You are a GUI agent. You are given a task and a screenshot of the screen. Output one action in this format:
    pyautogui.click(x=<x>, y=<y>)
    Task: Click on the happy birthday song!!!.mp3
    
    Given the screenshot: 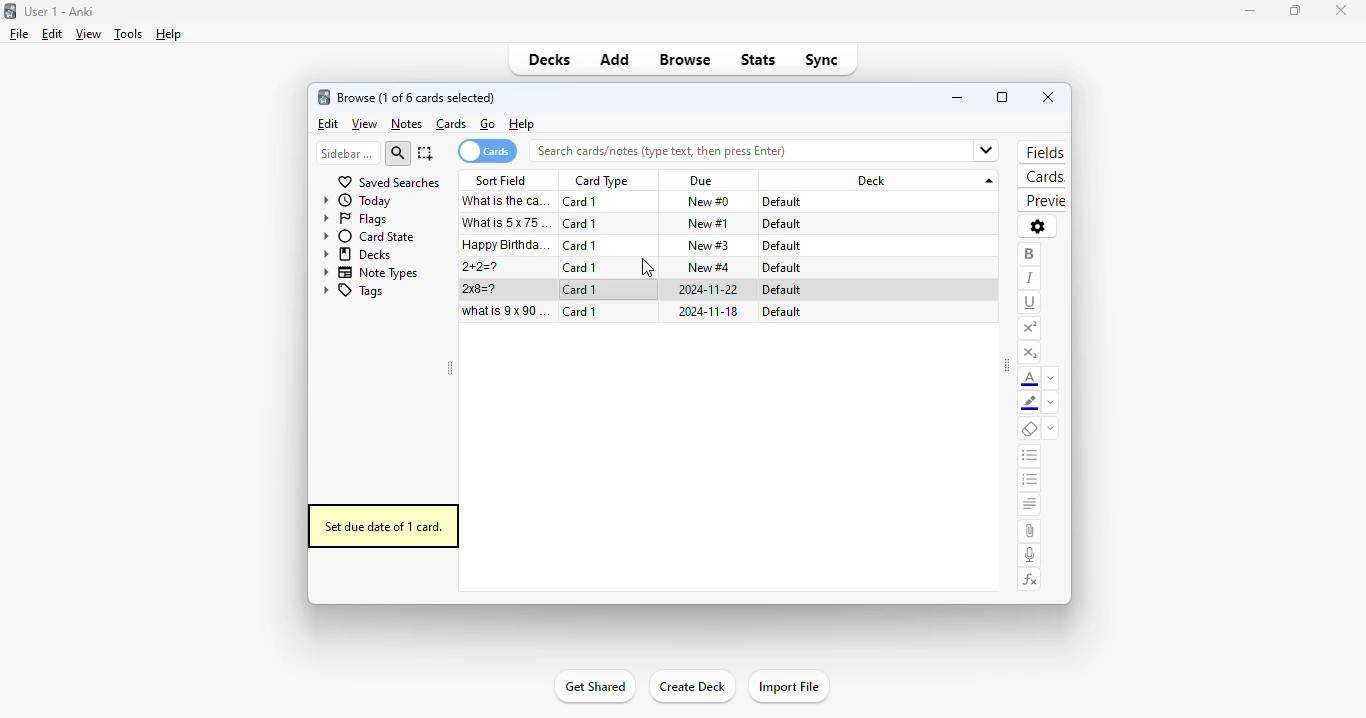 What is the action you would take?
    pyautogui.click(x=507, y=245)
    